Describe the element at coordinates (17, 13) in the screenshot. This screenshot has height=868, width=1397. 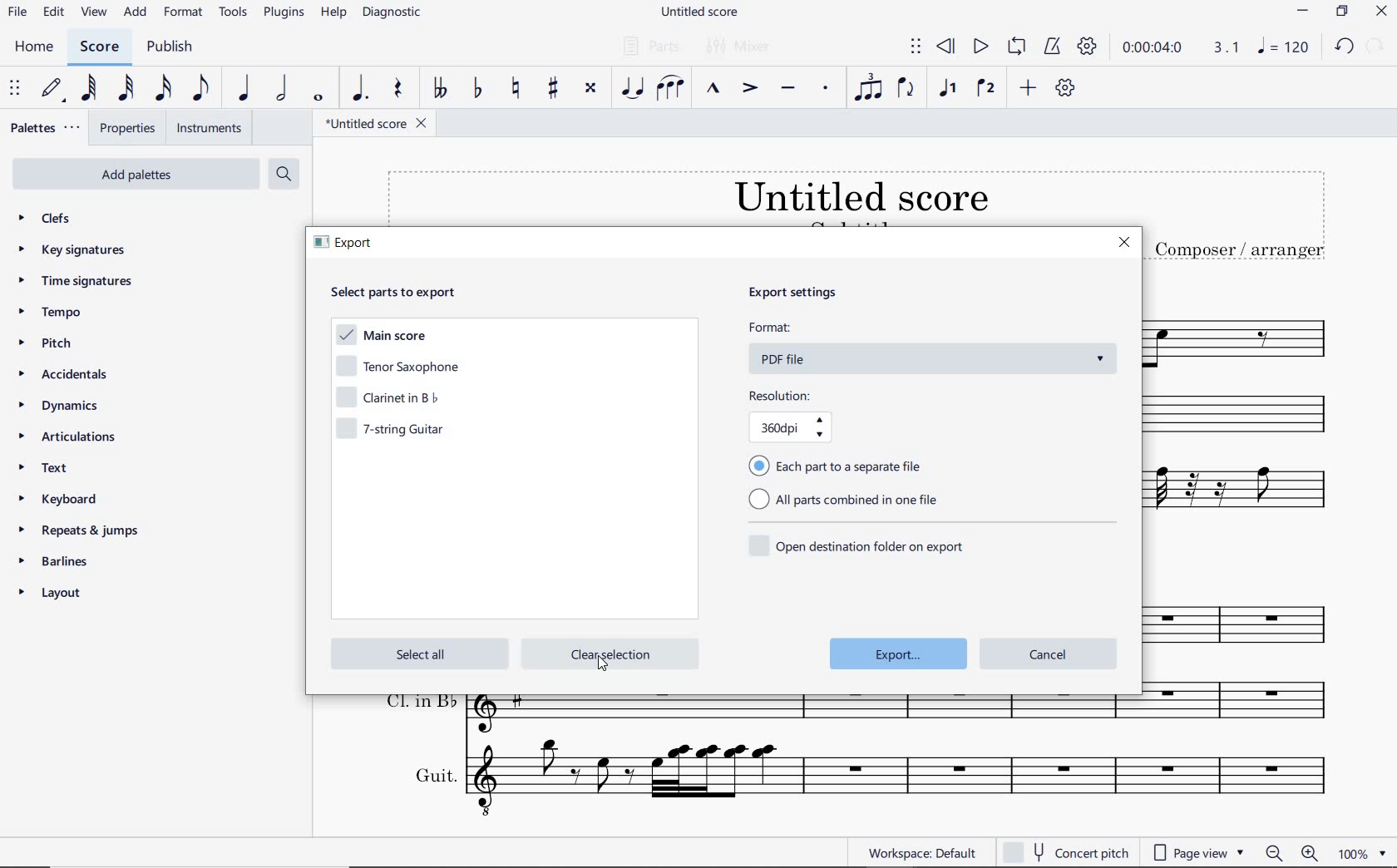
I see `FILE` at that location.